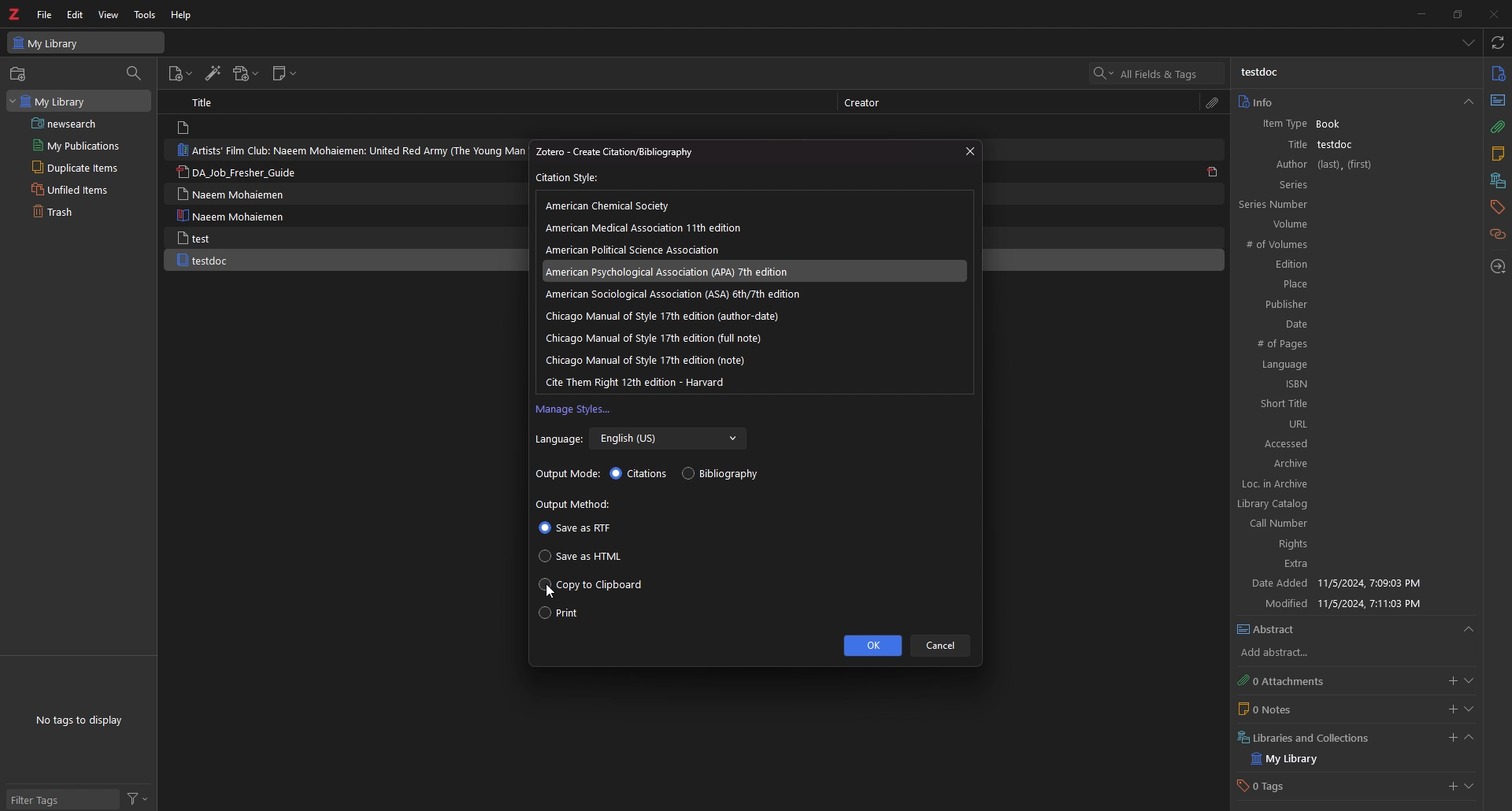 This screenshot has width=1512, height=811. Describe the element at coordinates (347, 150) in the screenshot. I see `Artists’ Film Club: Naeem Mohaiemen: United Red Army` at that location.